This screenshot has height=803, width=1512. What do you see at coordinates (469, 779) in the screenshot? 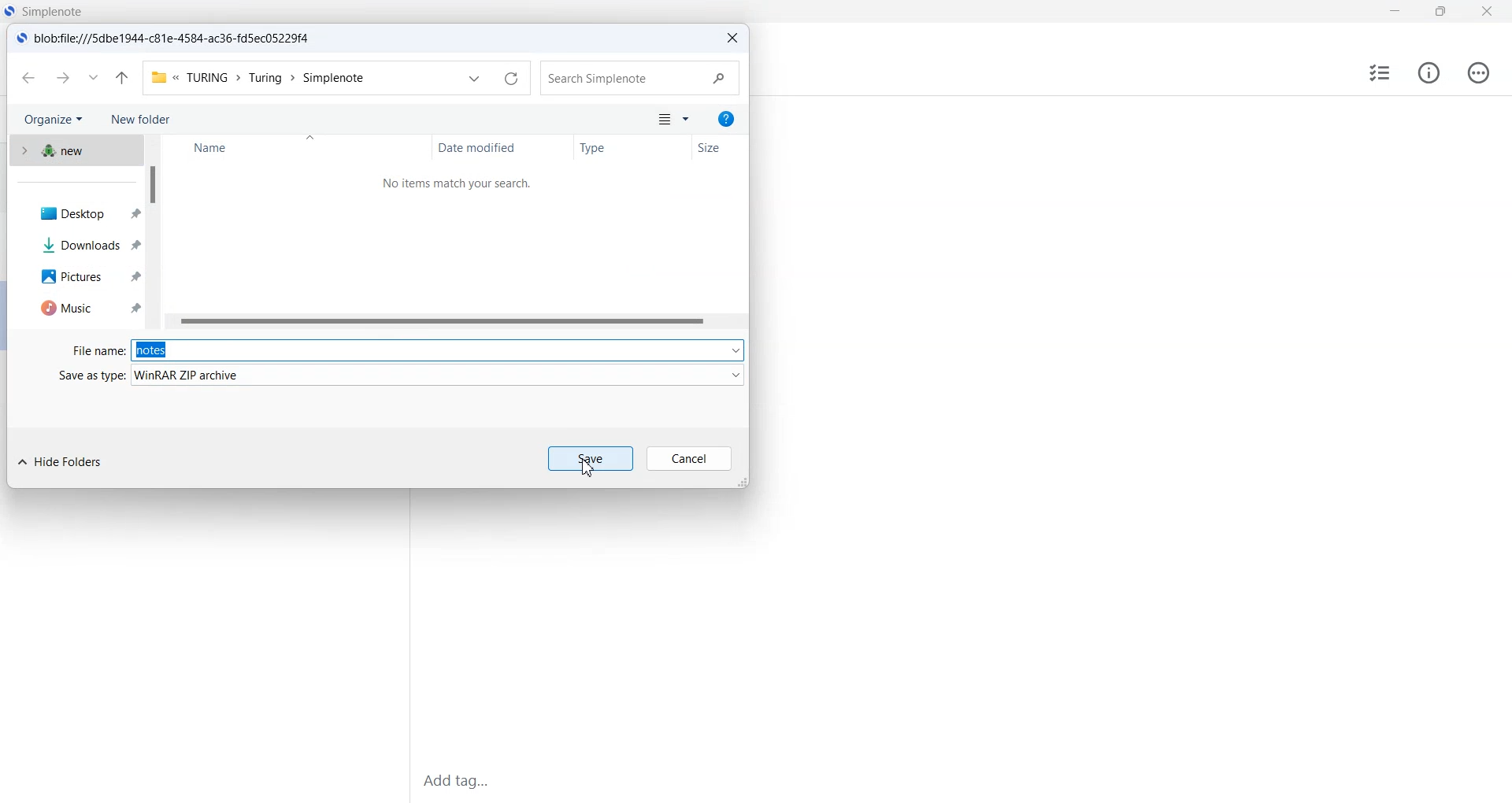
I see `Add tag...` at bounding box center [469, 779].